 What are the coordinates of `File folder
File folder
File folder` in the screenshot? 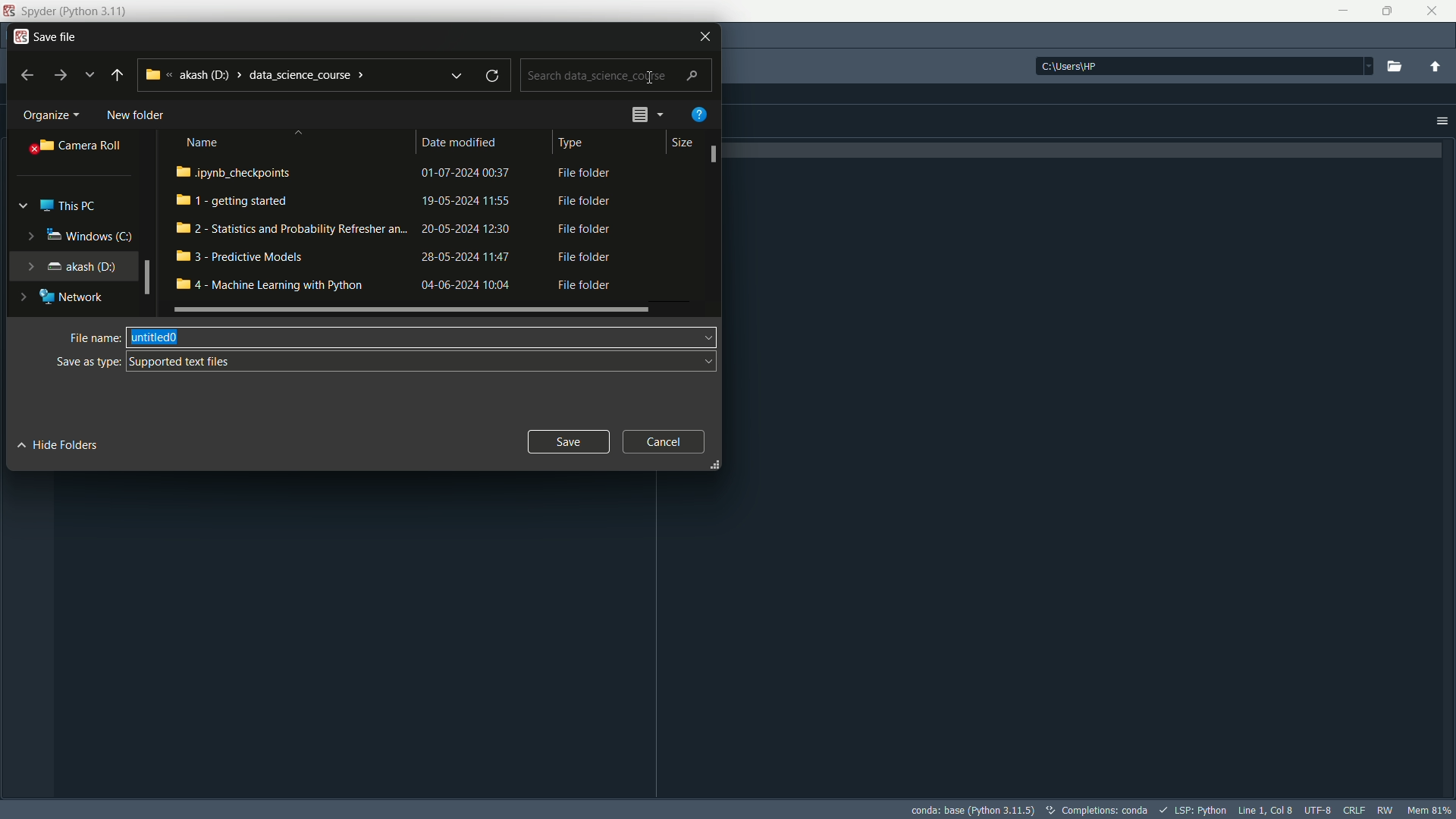 It's located at (574, 232).